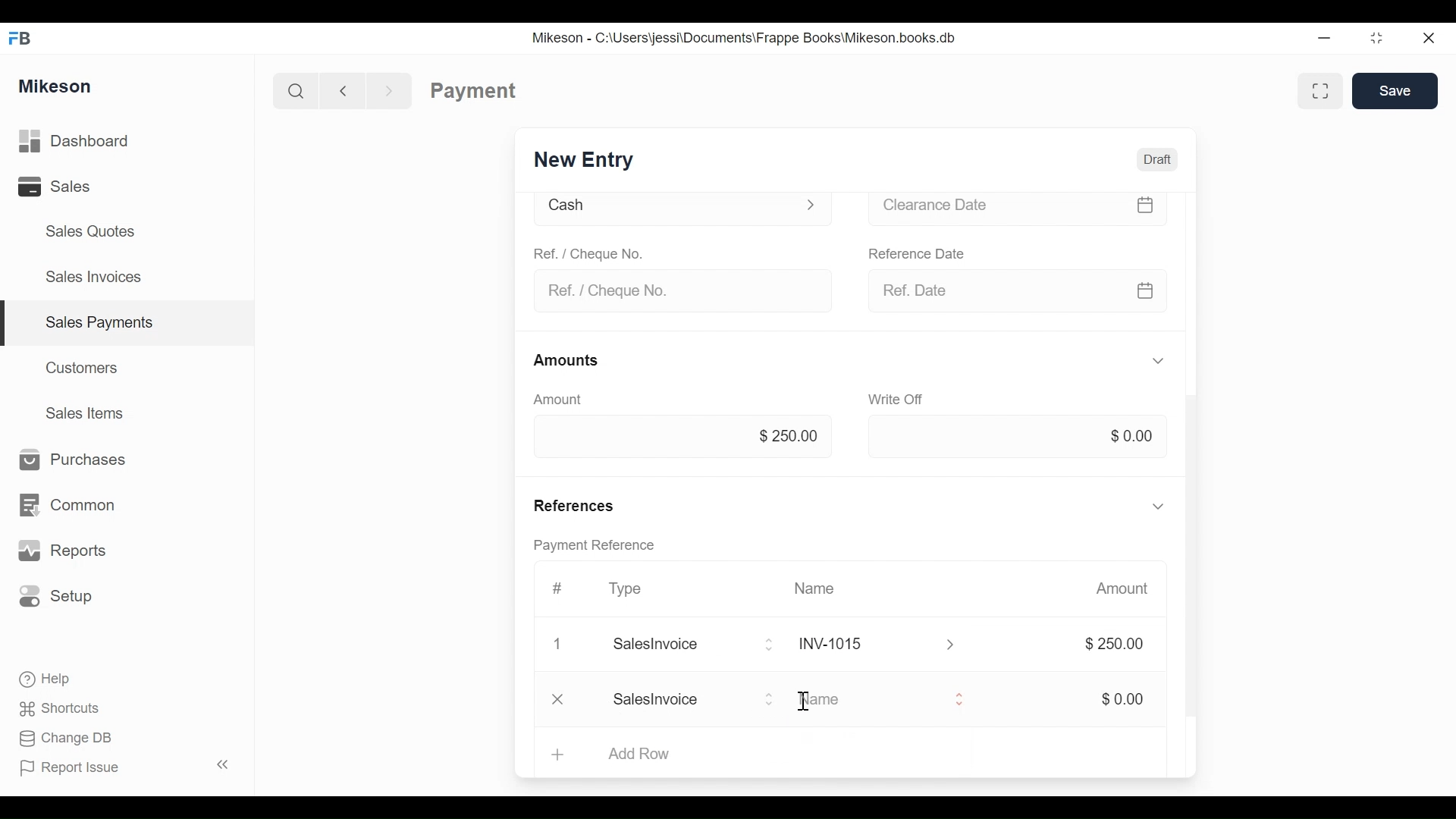  I want to click on Hashtag, so click(557, 590).